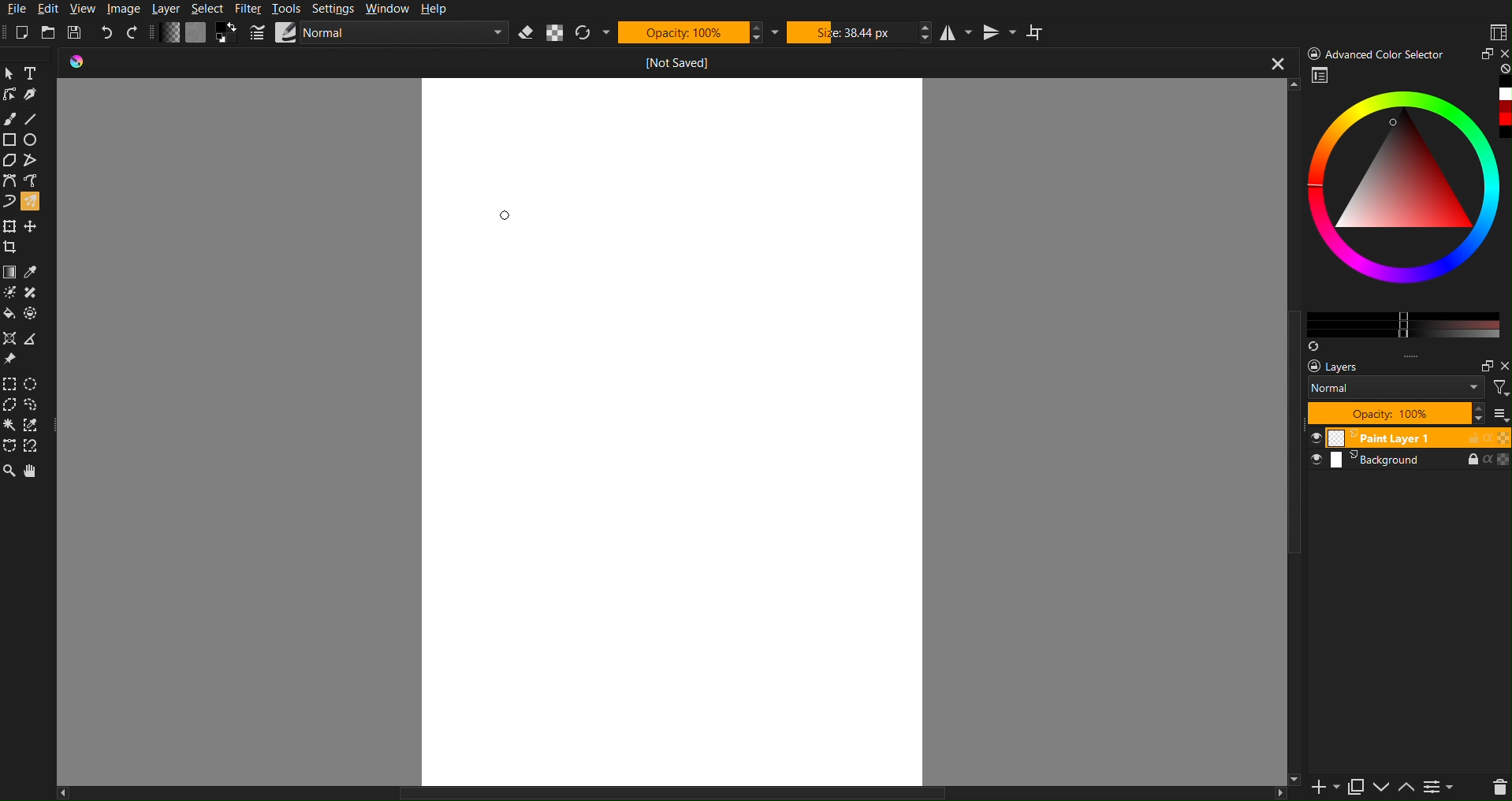 This screenshot has height=801, width=1512. Describe the element at coordinates (1486, 54) in the screenshot. I see `minimize` at that location.